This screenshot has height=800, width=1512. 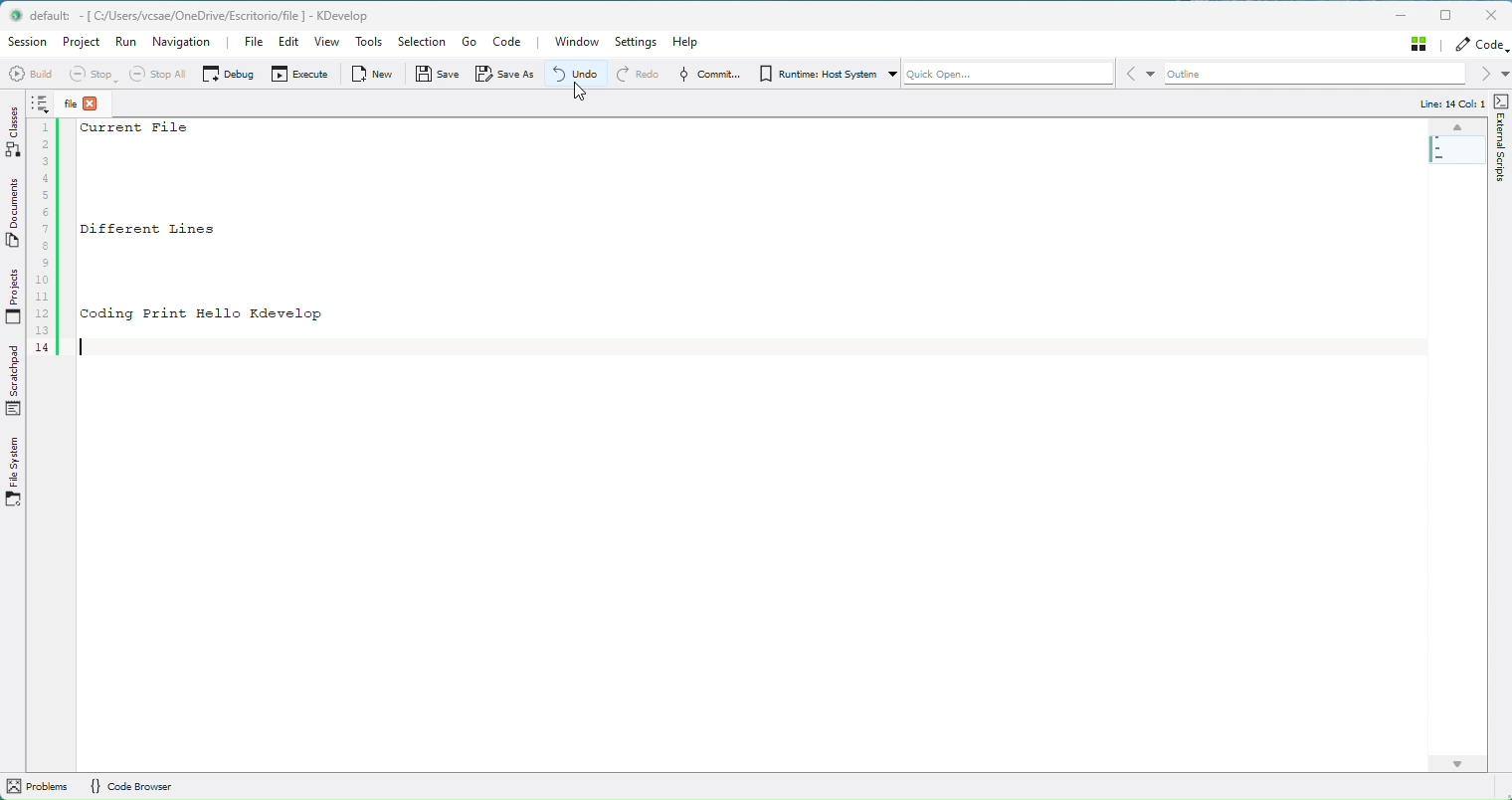 I want to click on external scripts, so click(x=1502, y=151).